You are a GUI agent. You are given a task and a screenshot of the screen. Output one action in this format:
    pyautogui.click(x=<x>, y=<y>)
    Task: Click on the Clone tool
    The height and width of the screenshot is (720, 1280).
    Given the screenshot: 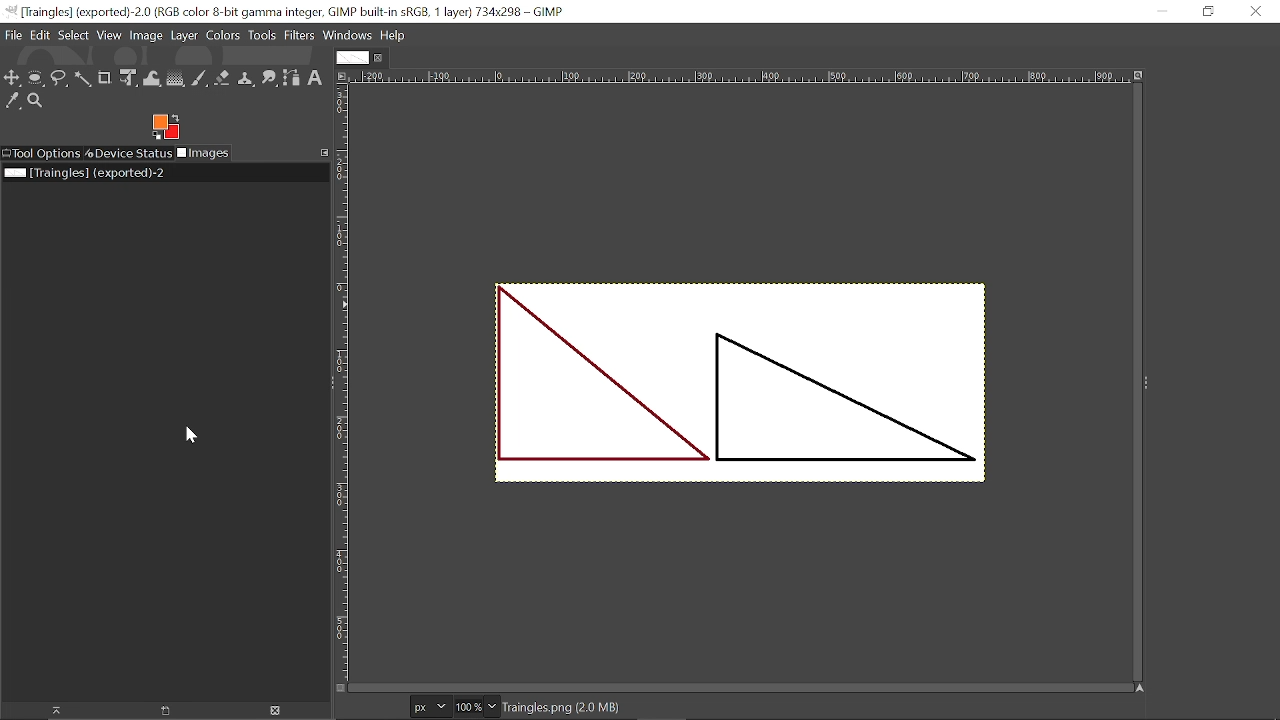 What is the action you would take?
    pyautogui.click(x=246, y=79)
    